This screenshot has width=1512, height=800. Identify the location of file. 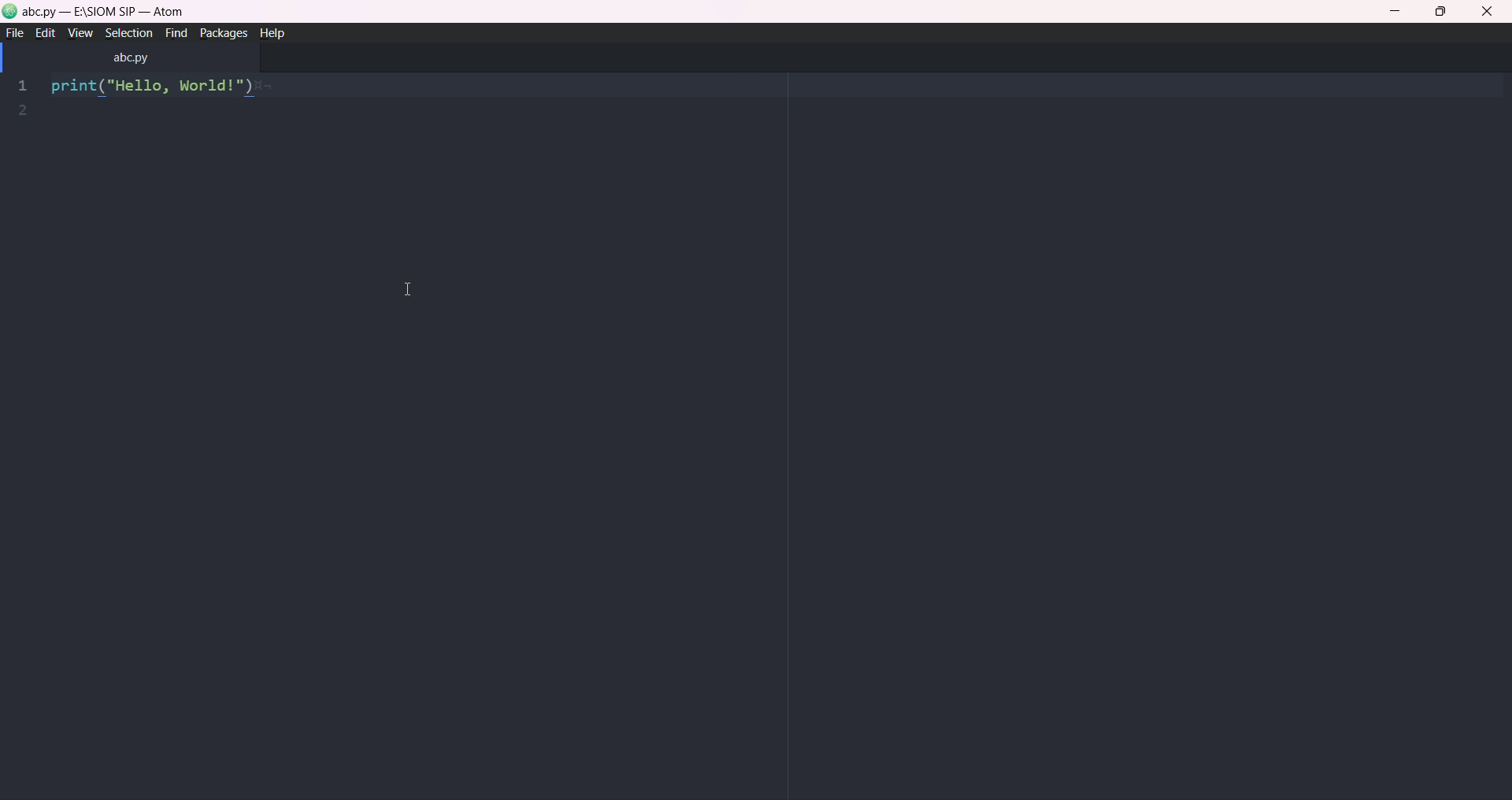
(14, 32).